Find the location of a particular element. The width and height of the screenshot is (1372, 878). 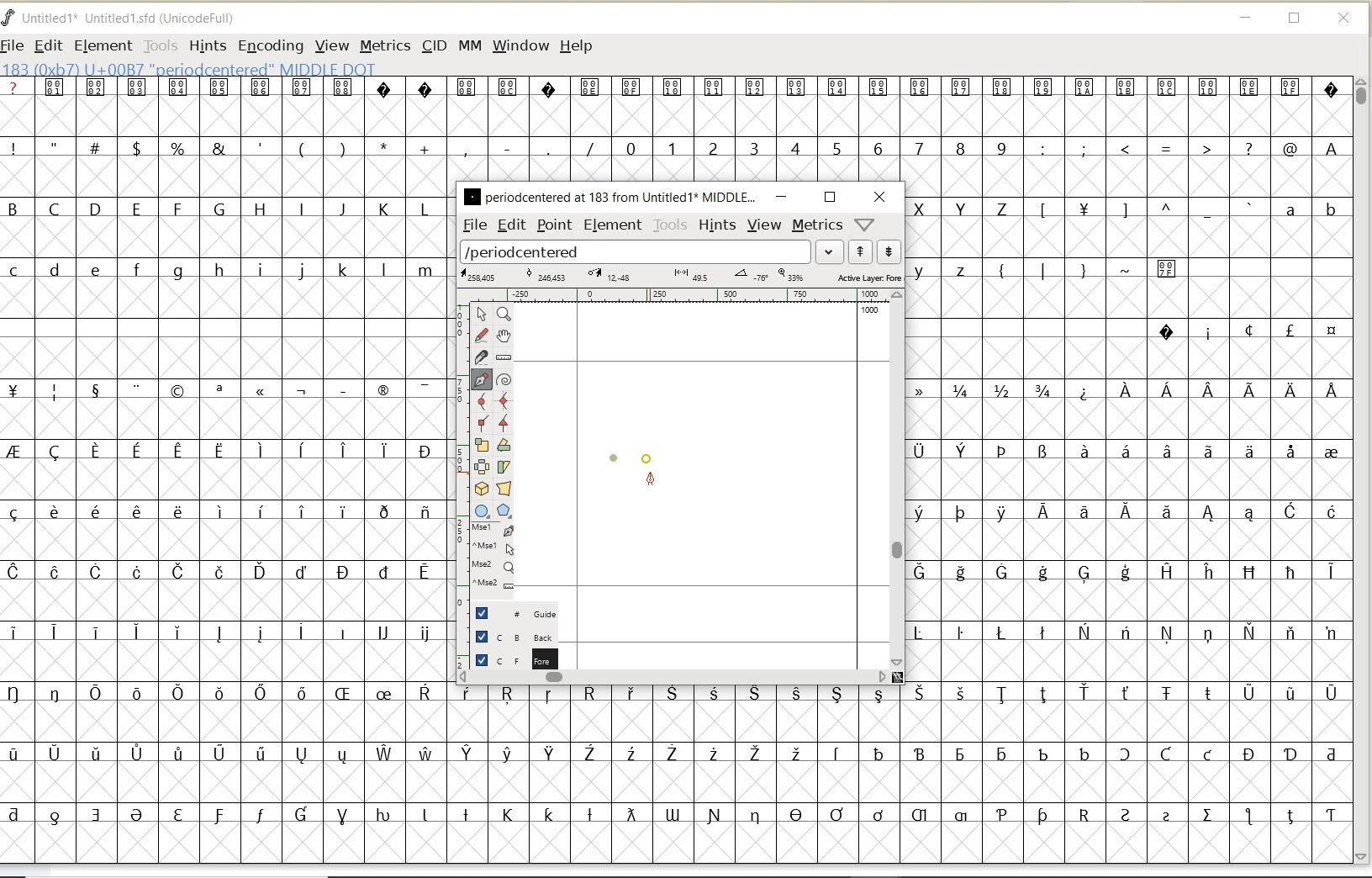

scroll by hand is located at coordinates (503, 336).